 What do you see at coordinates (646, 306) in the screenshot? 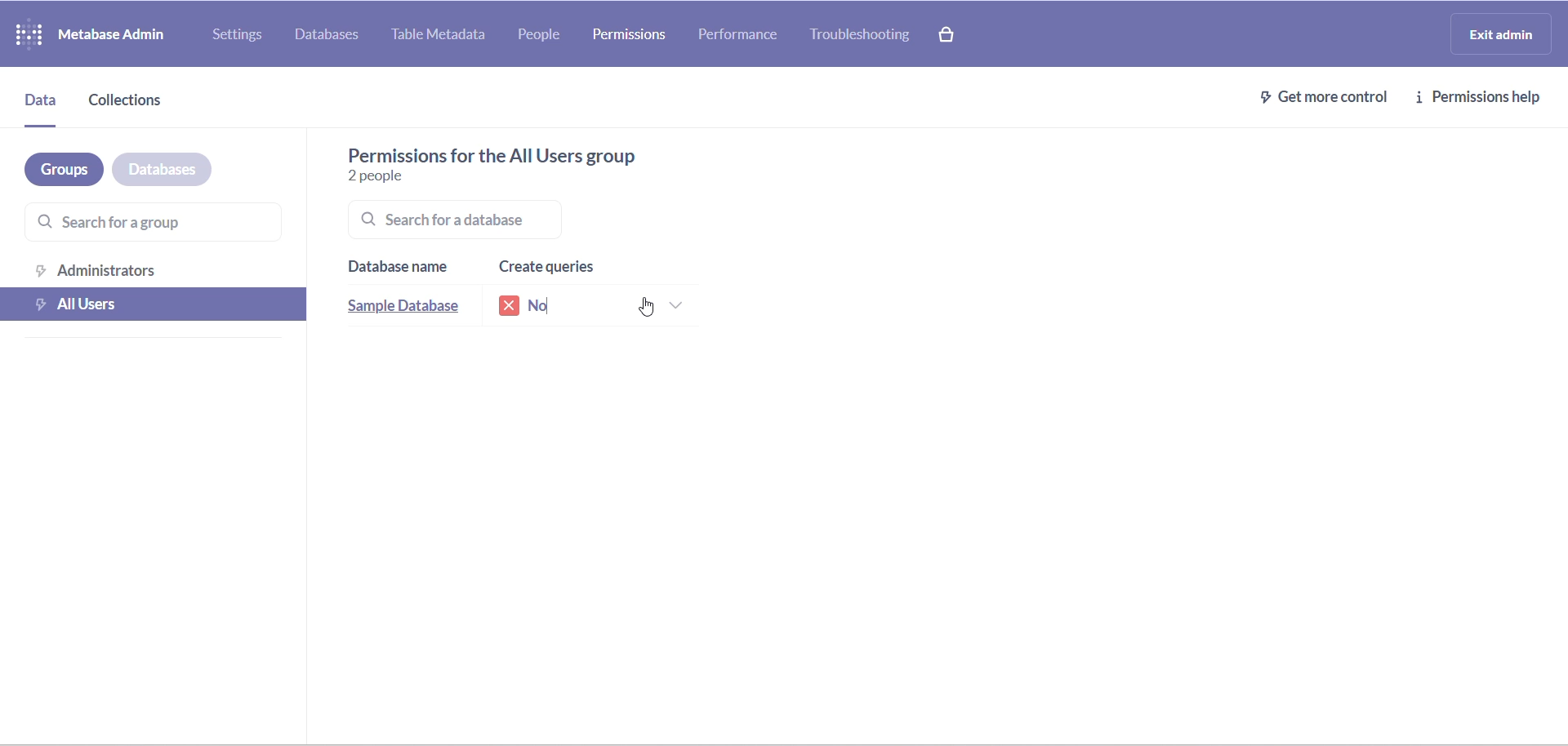
I see `cursor` at bounding box center [646, 306].